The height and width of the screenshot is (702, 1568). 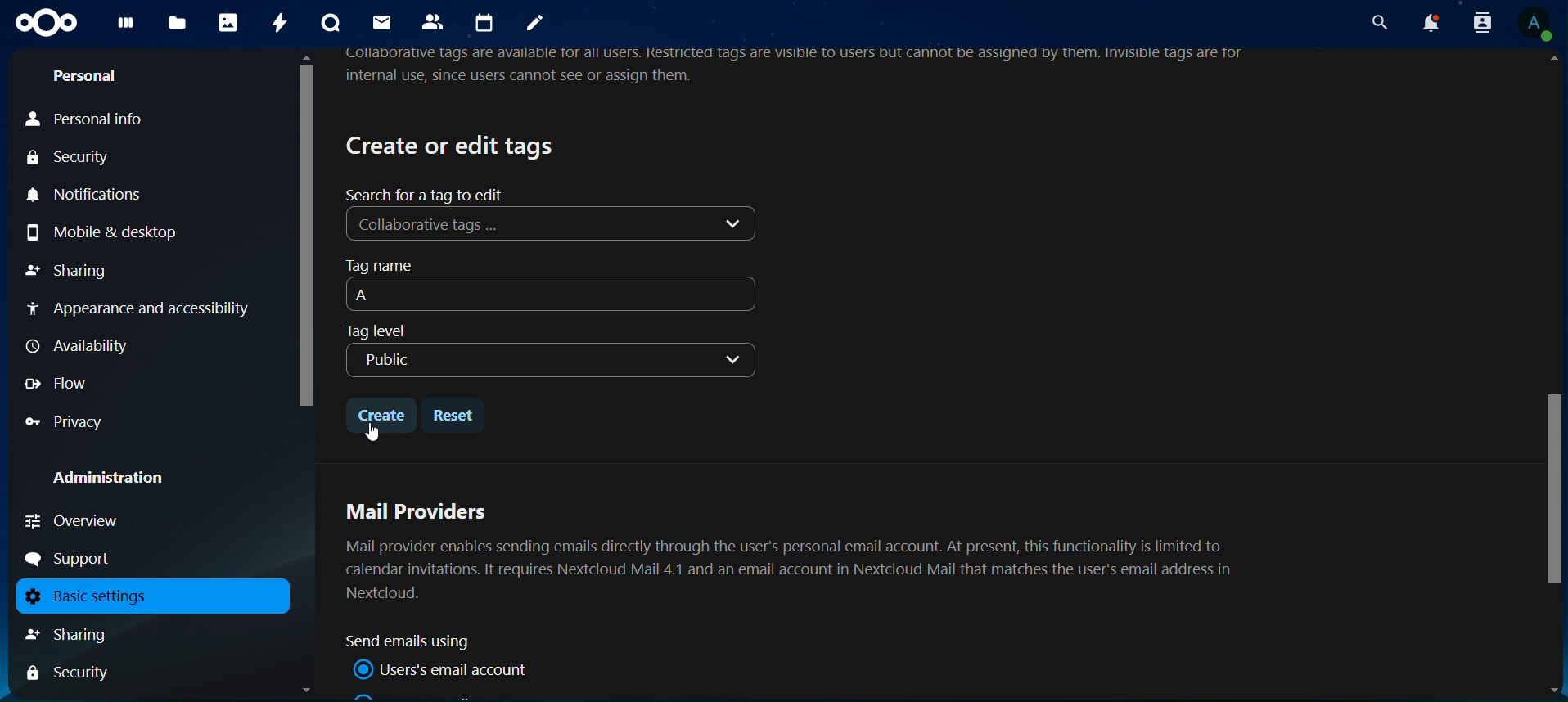 I want to click on talk, so click(x=329, y=23).